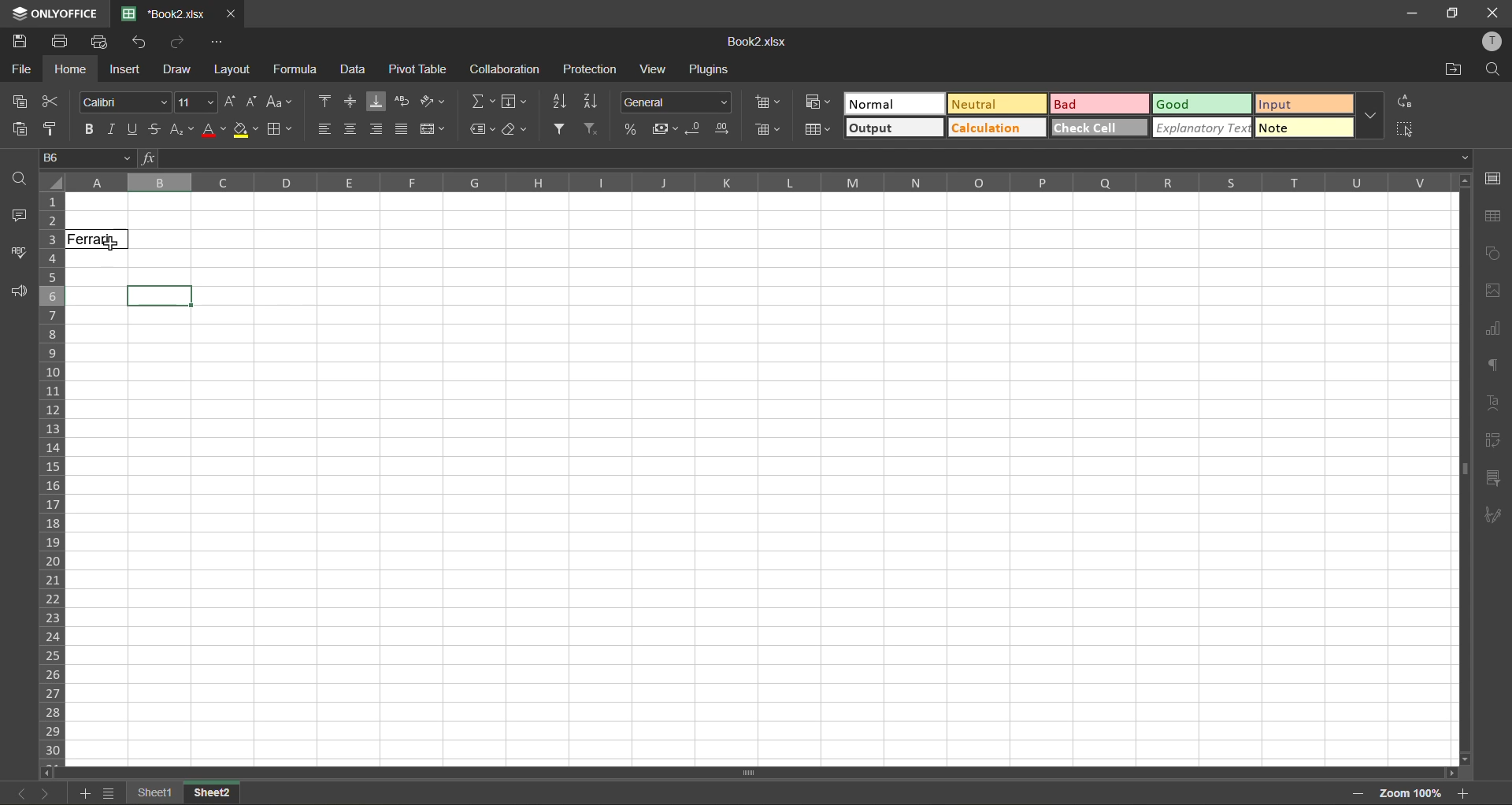  I want to click on text, so click(1496, 402).